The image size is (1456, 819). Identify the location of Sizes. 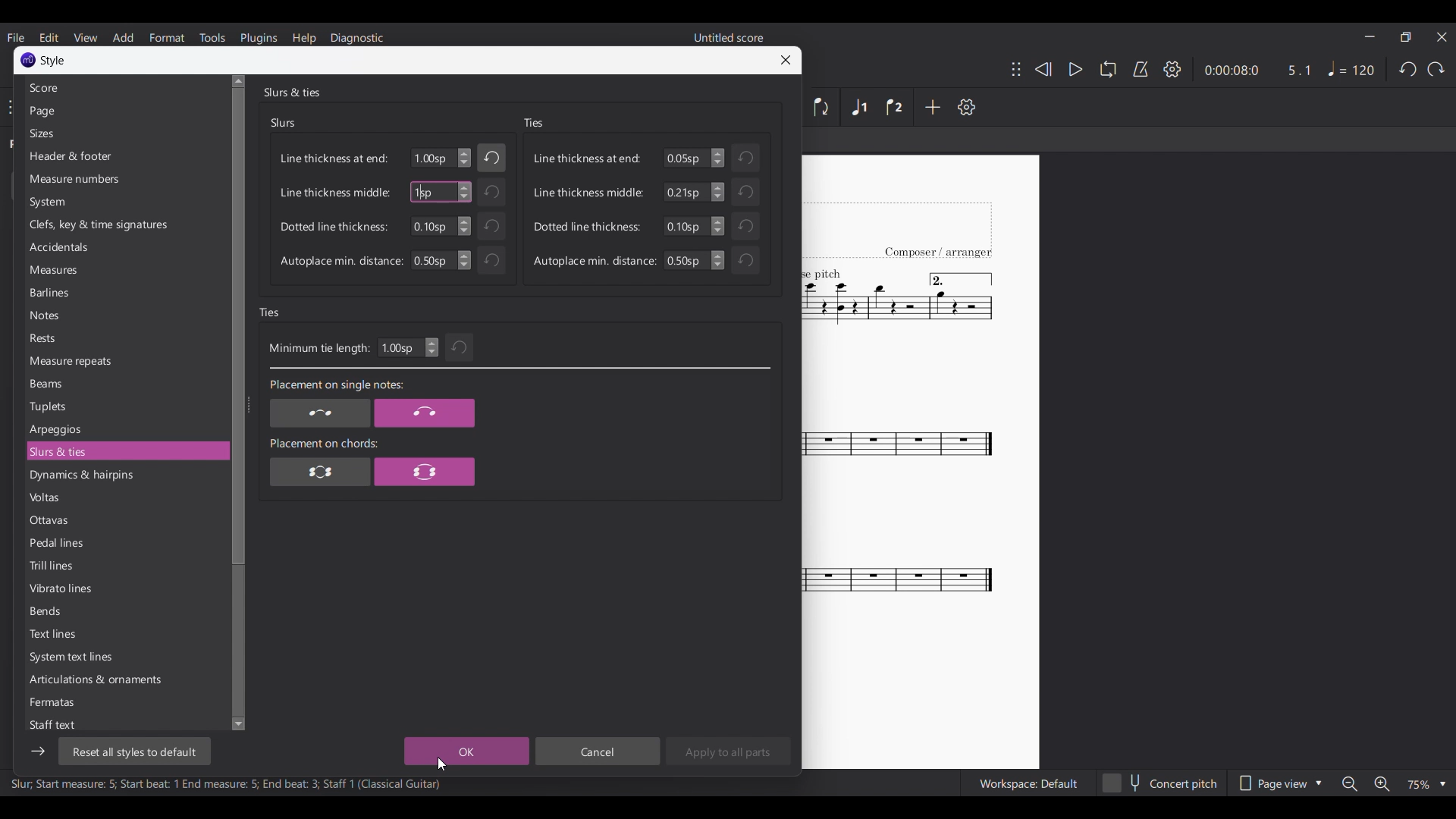
(124, 133).